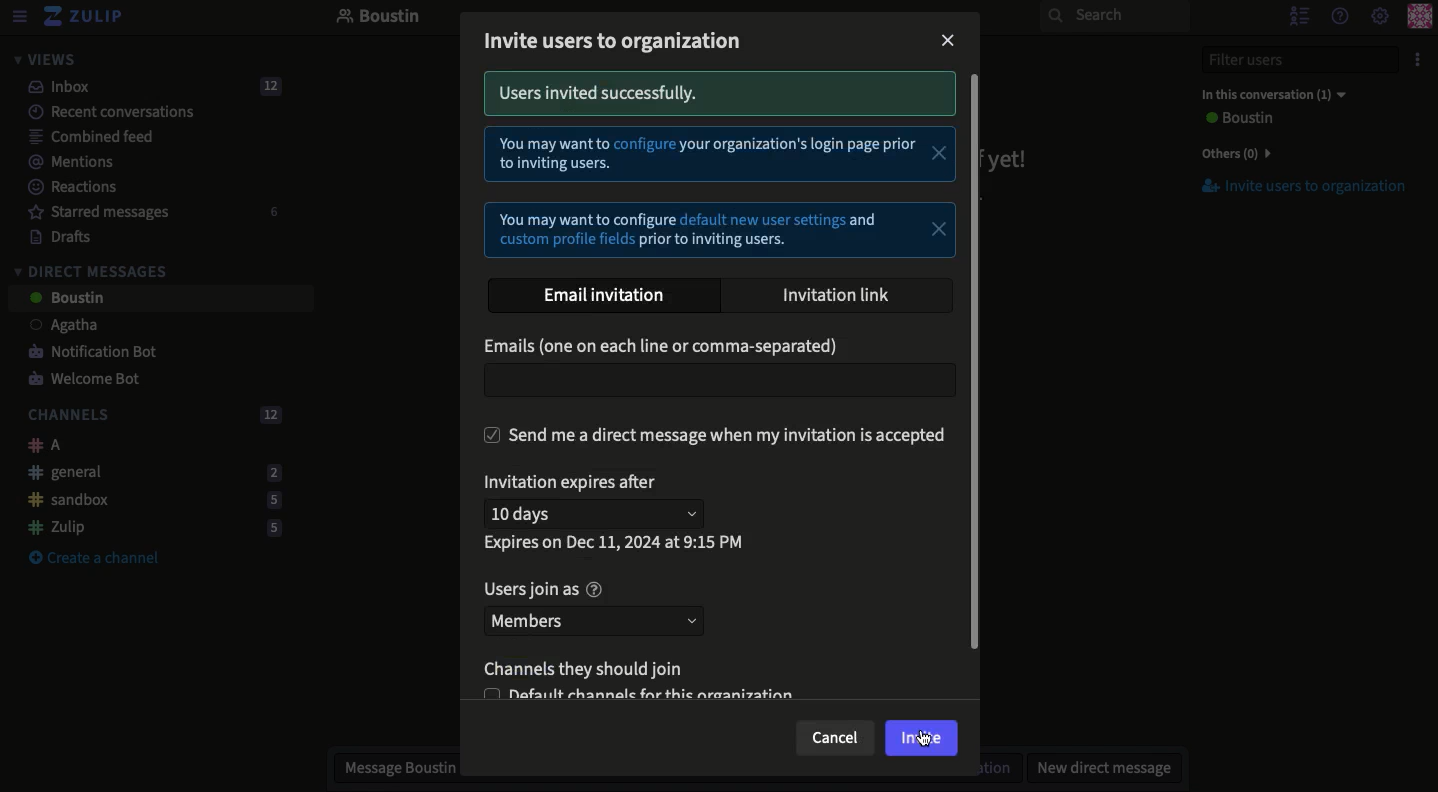 The width and height of the screenshot is (1438, 792). What do you see at coordinates (978, 384) in the screenshot?
I see `Scroll` at bounding box center [978, 384].